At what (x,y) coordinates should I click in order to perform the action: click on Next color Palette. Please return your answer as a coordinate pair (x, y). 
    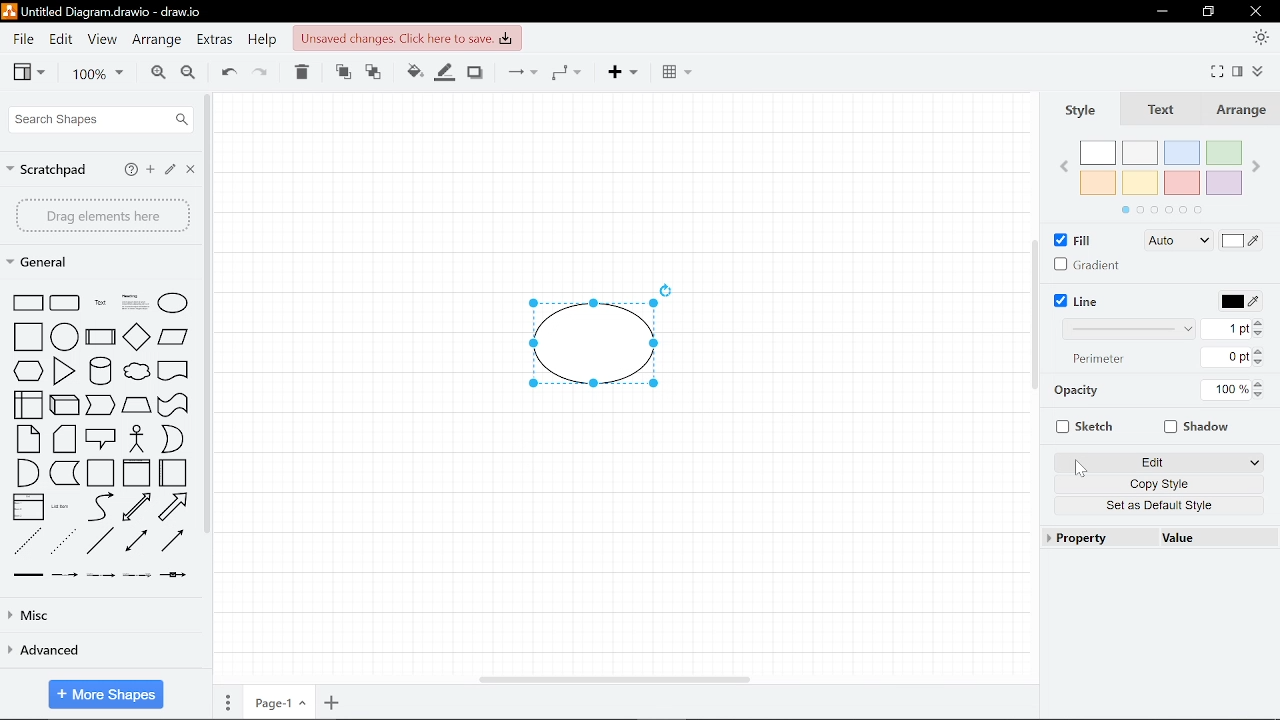
    Looking at the image, I should click on (1262, 158).